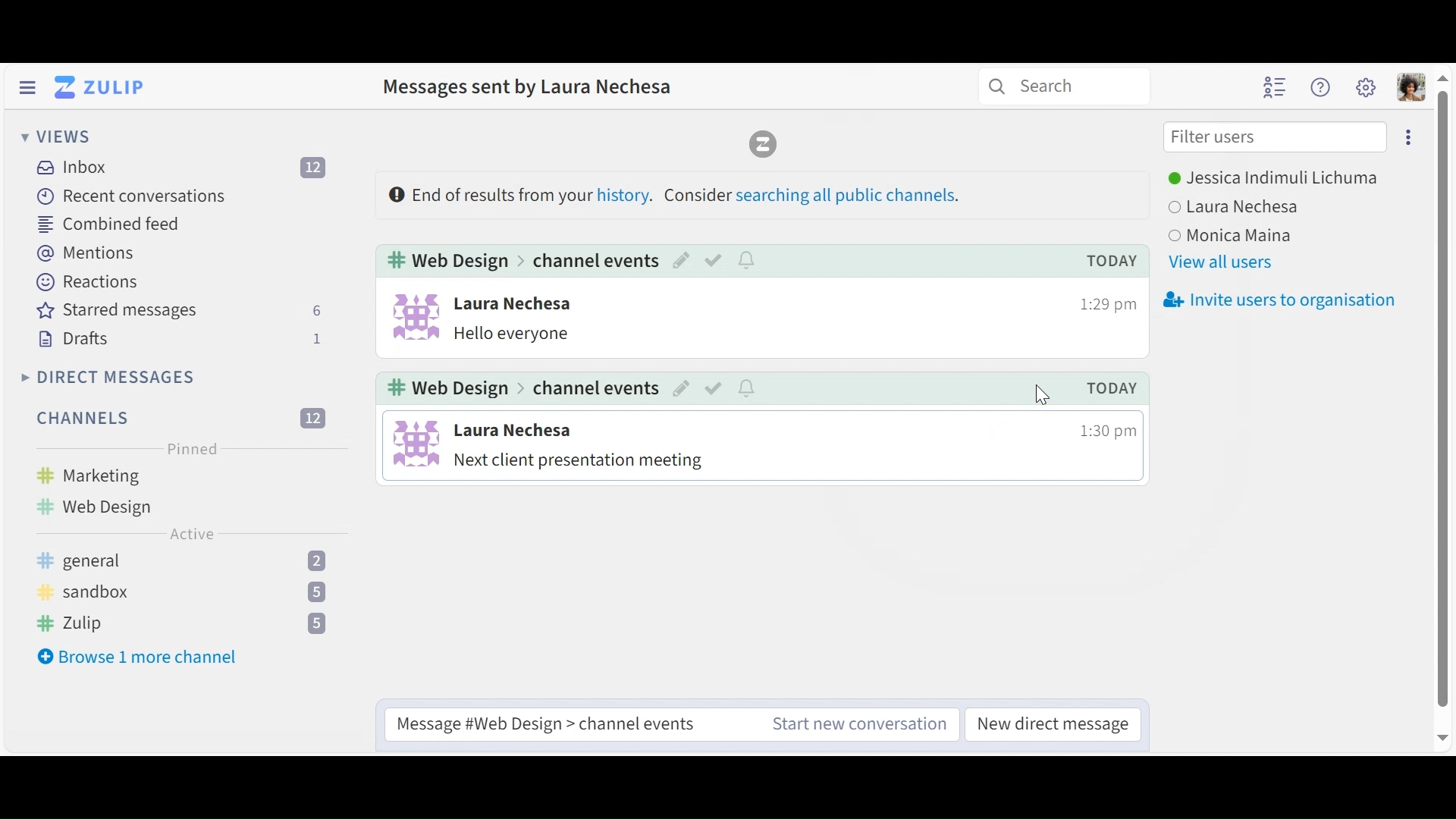 This screenshot has height=819, width=1456. Describe the element at coordinates (1229, 236) in the screenshot. I see `user 3` at that location.